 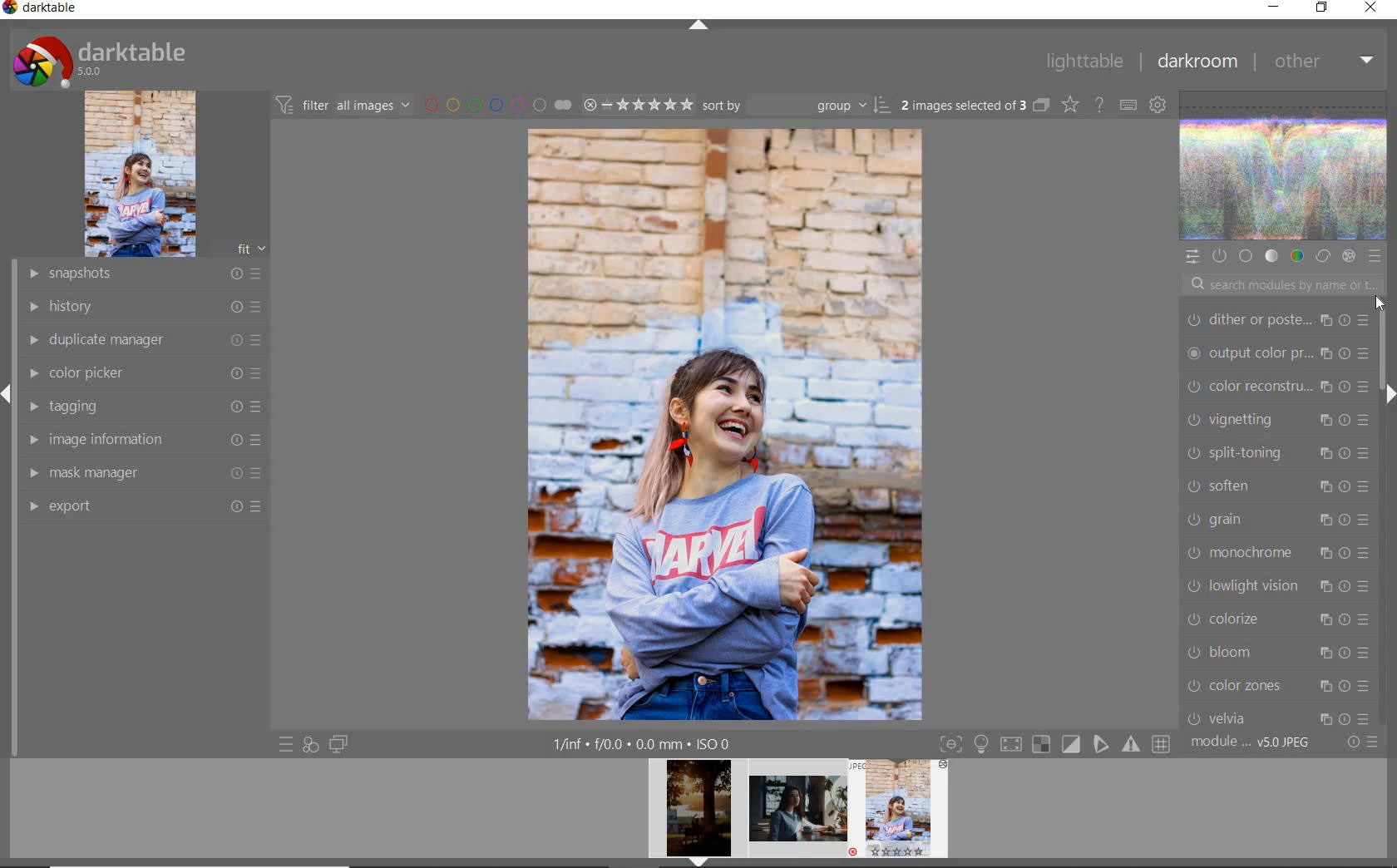 What do you see at coordinates (1098, 103) in the screenshot?
I see `ENABLE ONLINE FOR HELP` at bounding box center [1098, 103].